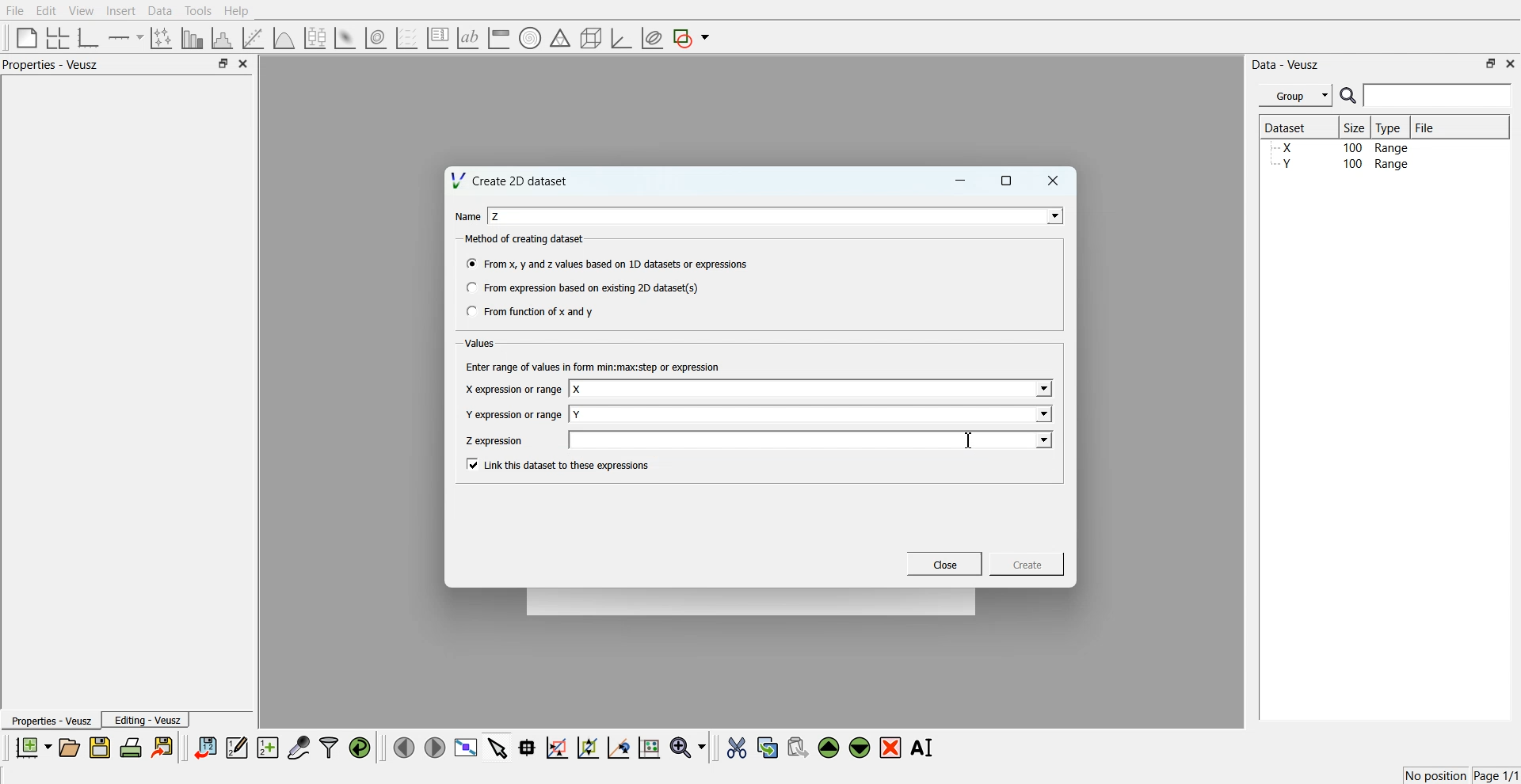 The height and width of the screenshot is (784, 1521). Describe the element at coordinates (768, 747) in the screenshot. I see `Copy the selected widget` at that location.